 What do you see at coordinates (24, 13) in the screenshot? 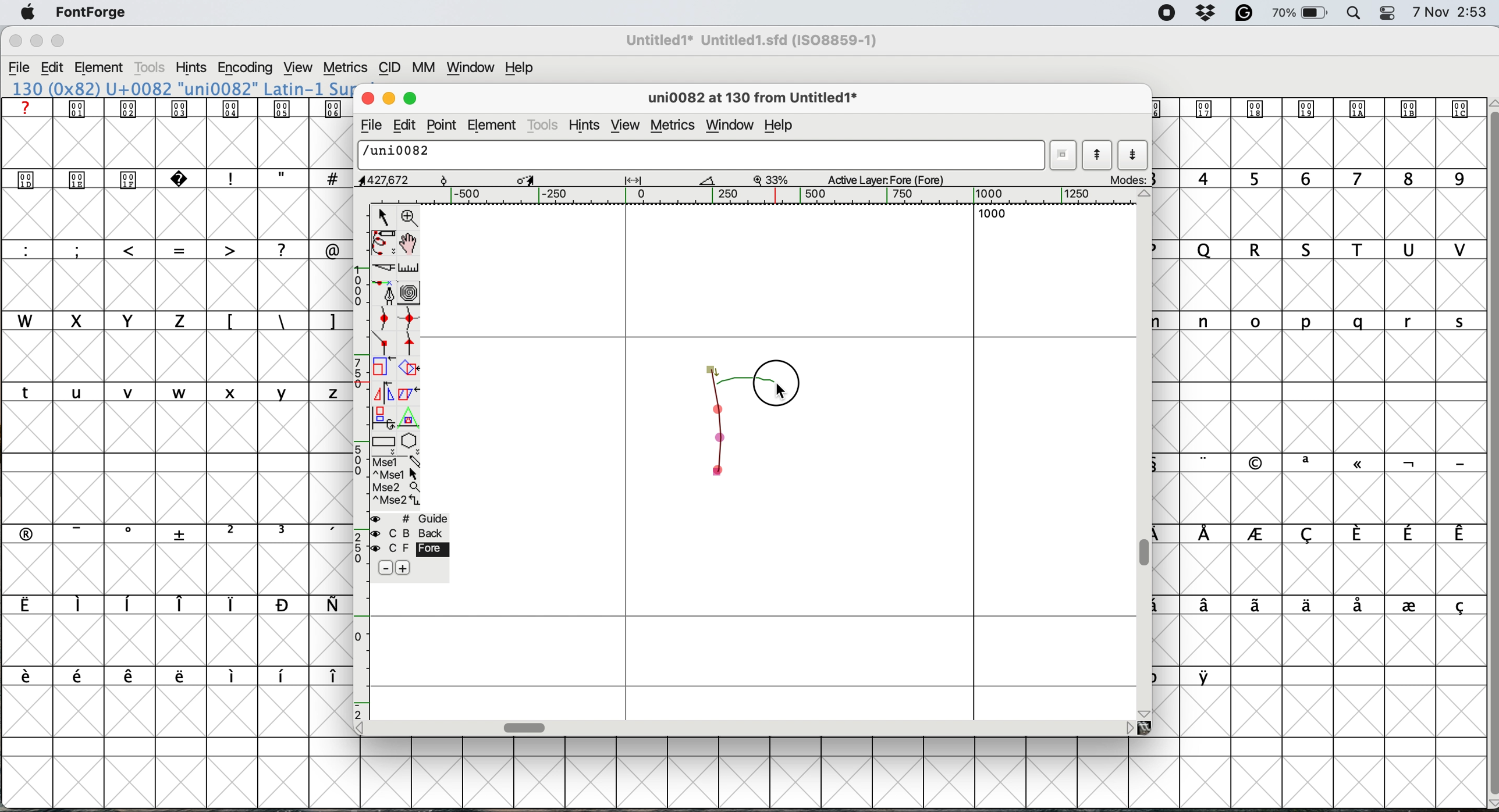
I see `system logo` at bounding box center [24, 13].